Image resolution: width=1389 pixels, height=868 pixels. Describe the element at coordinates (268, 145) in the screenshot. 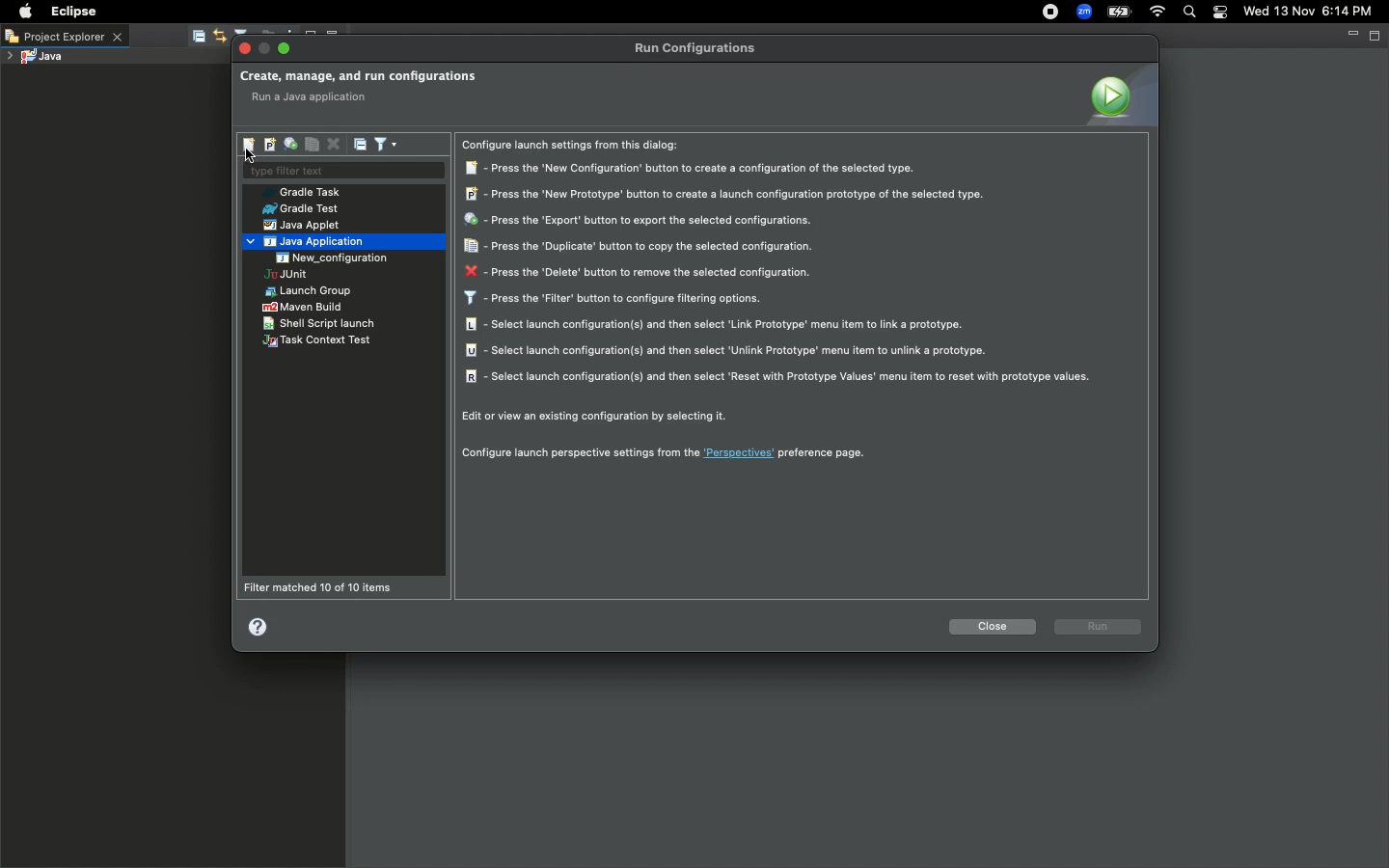

I see `New launch configuration prototype` at that location.